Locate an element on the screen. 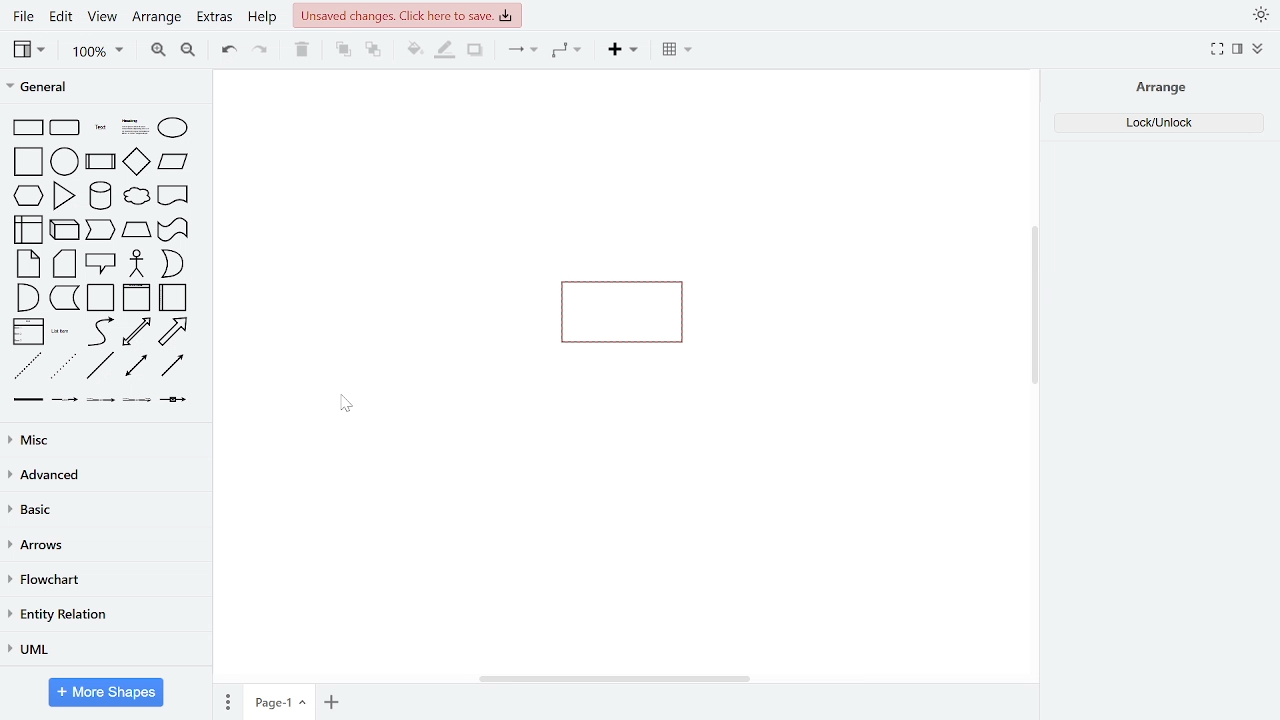 Image resolution: width=1280 pixels, height=720 pixels. internal storage is located at coordinates (47, 229).